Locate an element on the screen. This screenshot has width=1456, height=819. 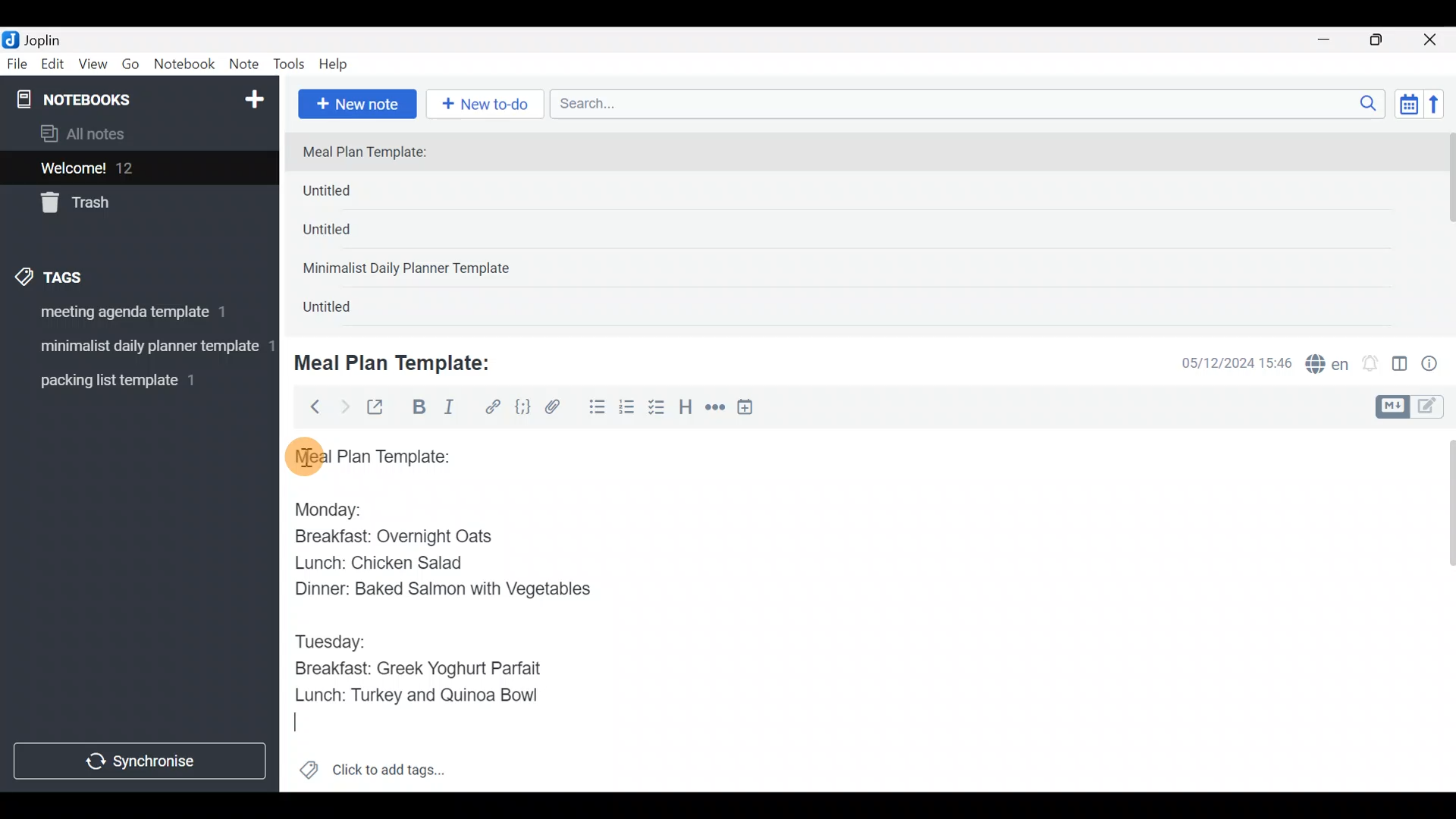
Go is located at coordinates (130, 67).